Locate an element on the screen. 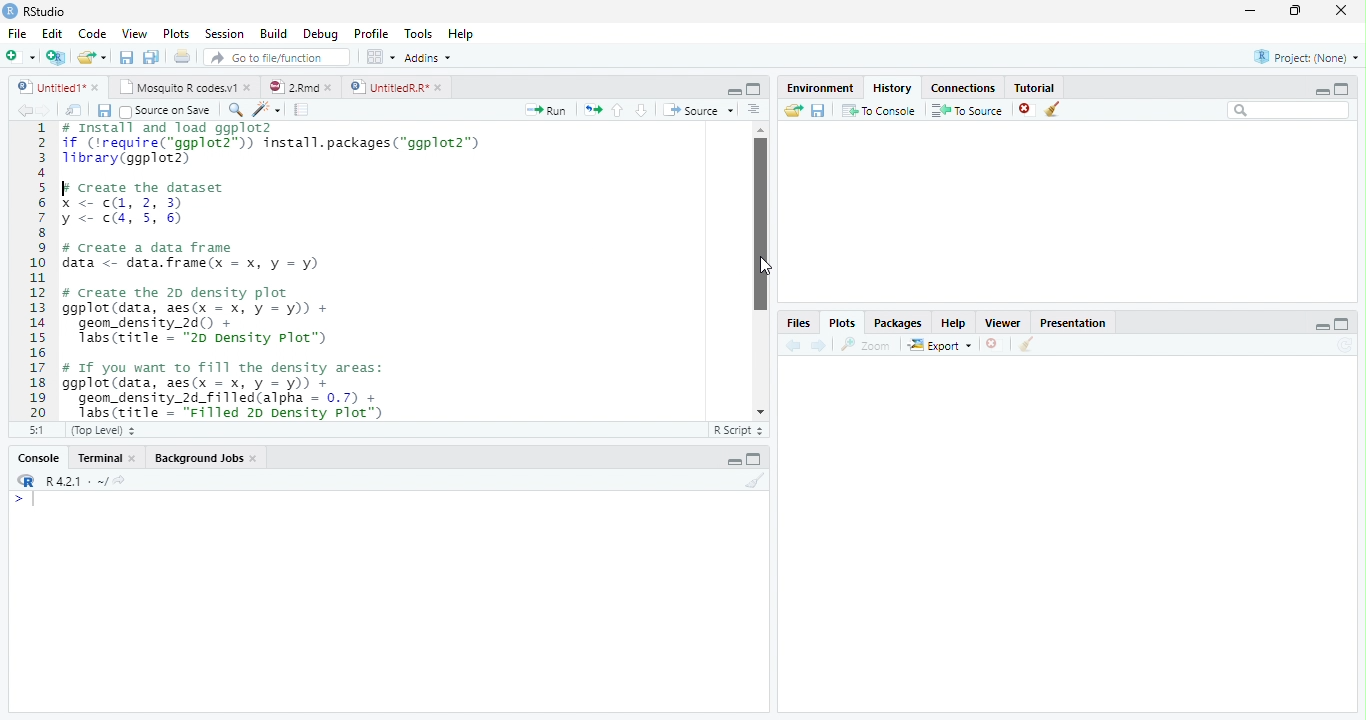 The image size is (1366, 720). open an existing file is located at coordinates (90, 57).